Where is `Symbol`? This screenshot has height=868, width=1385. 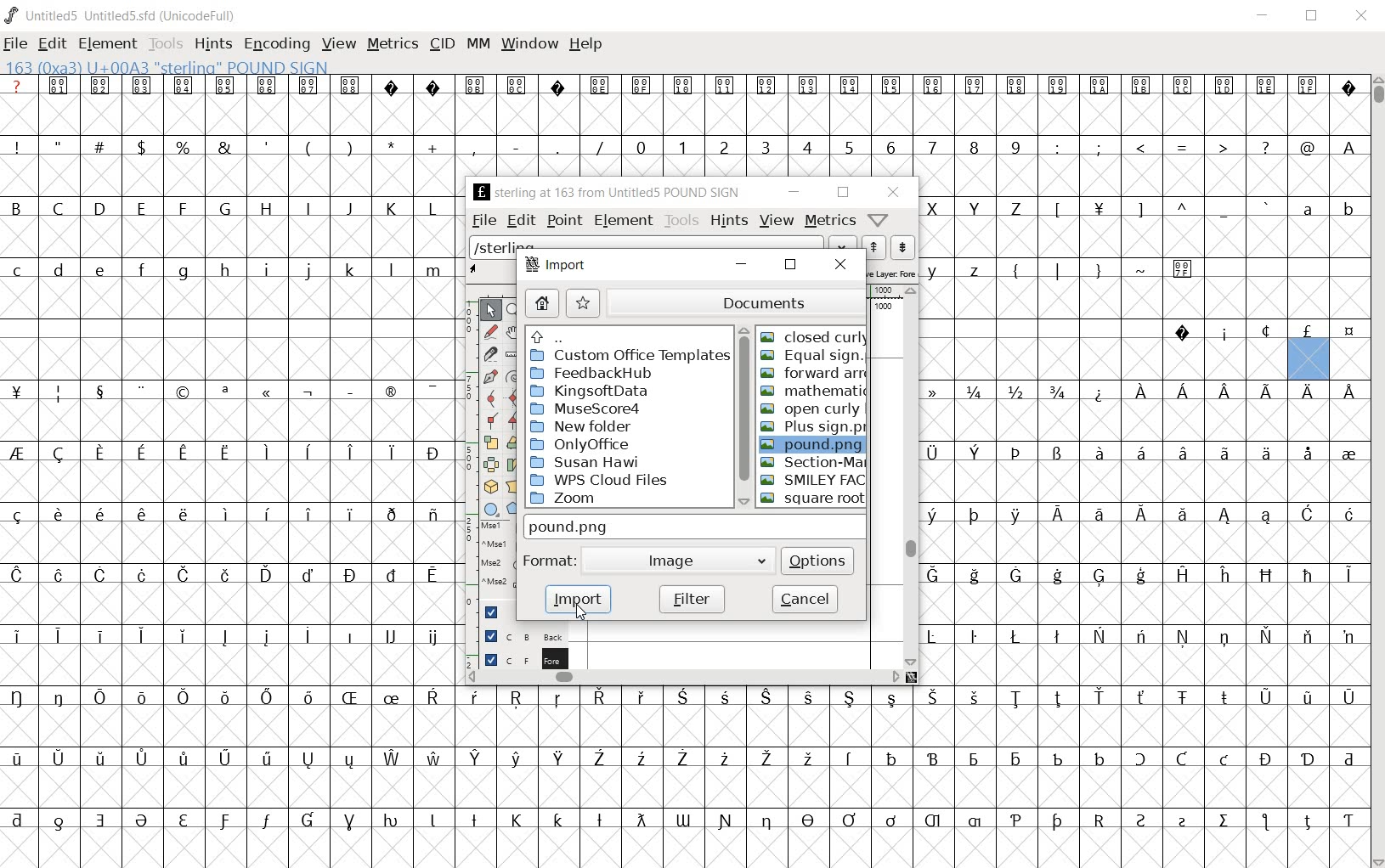
Symbol is located at coordinates (851, 759).